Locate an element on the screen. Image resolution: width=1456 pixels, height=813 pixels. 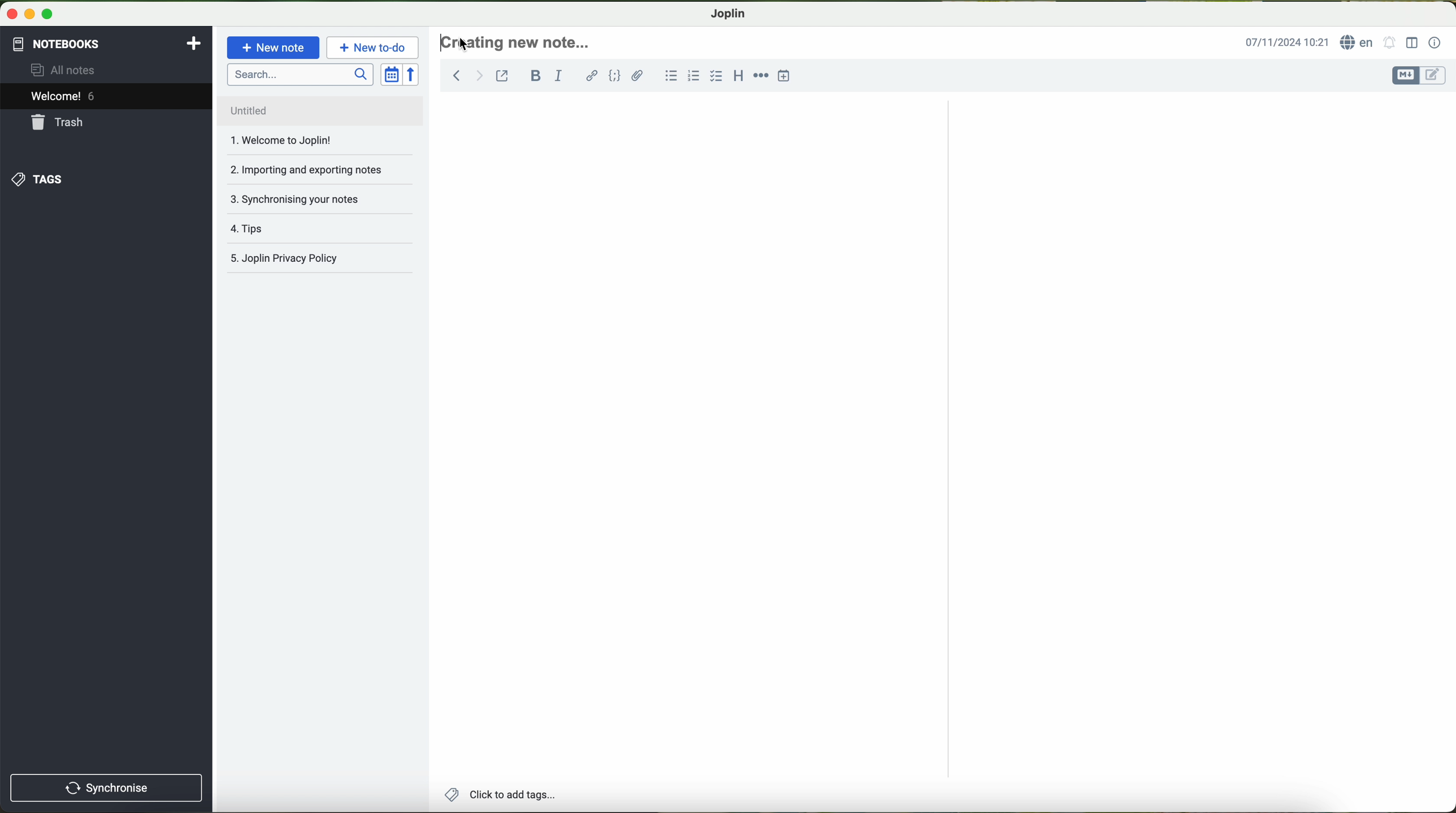
code is located at coordinates (616, 76).